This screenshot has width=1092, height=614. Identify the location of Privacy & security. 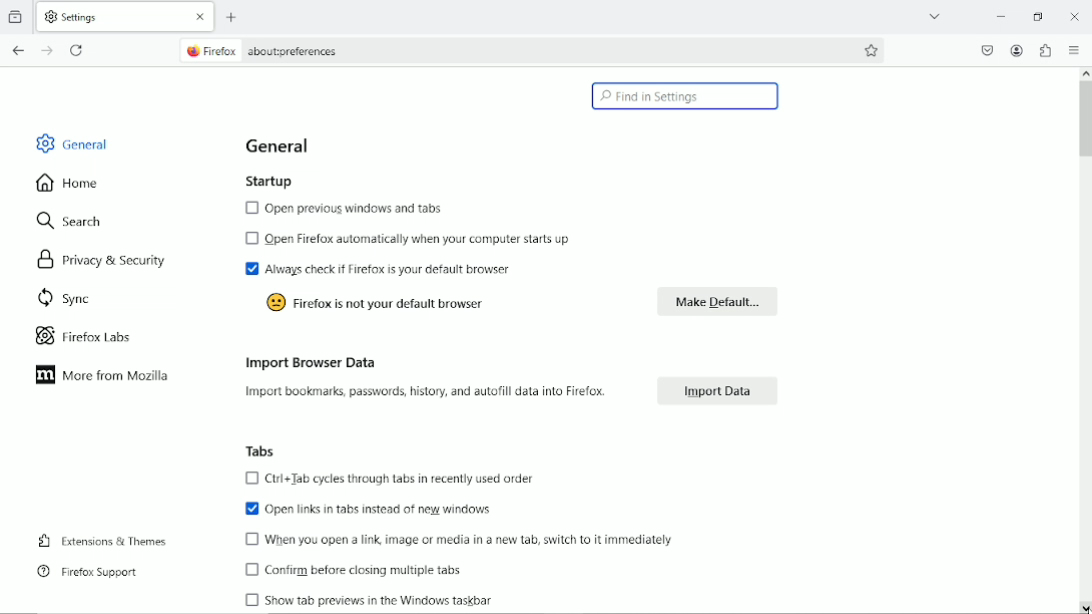
(96, 260).